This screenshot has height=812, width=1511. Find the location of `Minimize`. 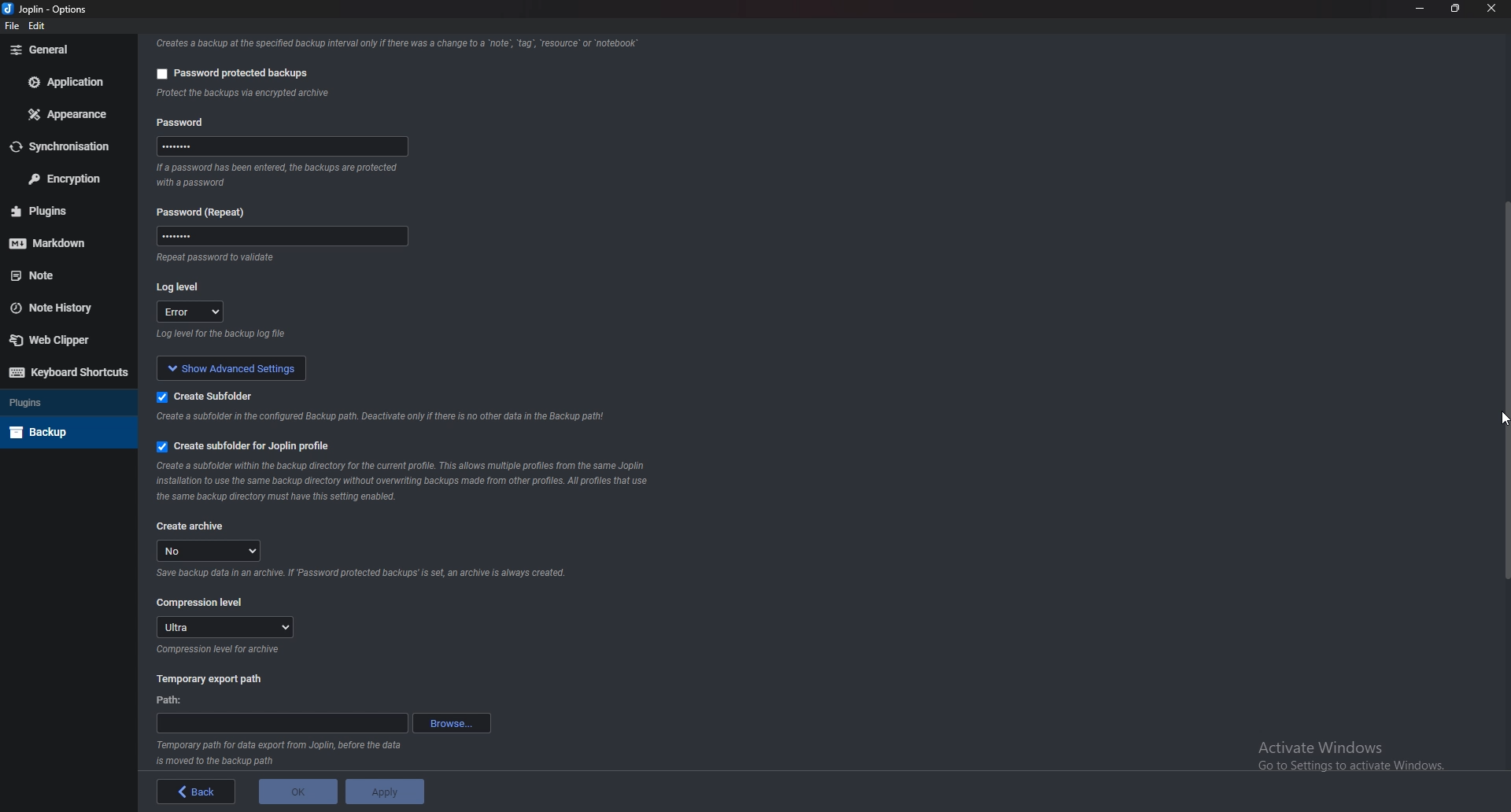

Minimize is located at coordinates (1422, 9).